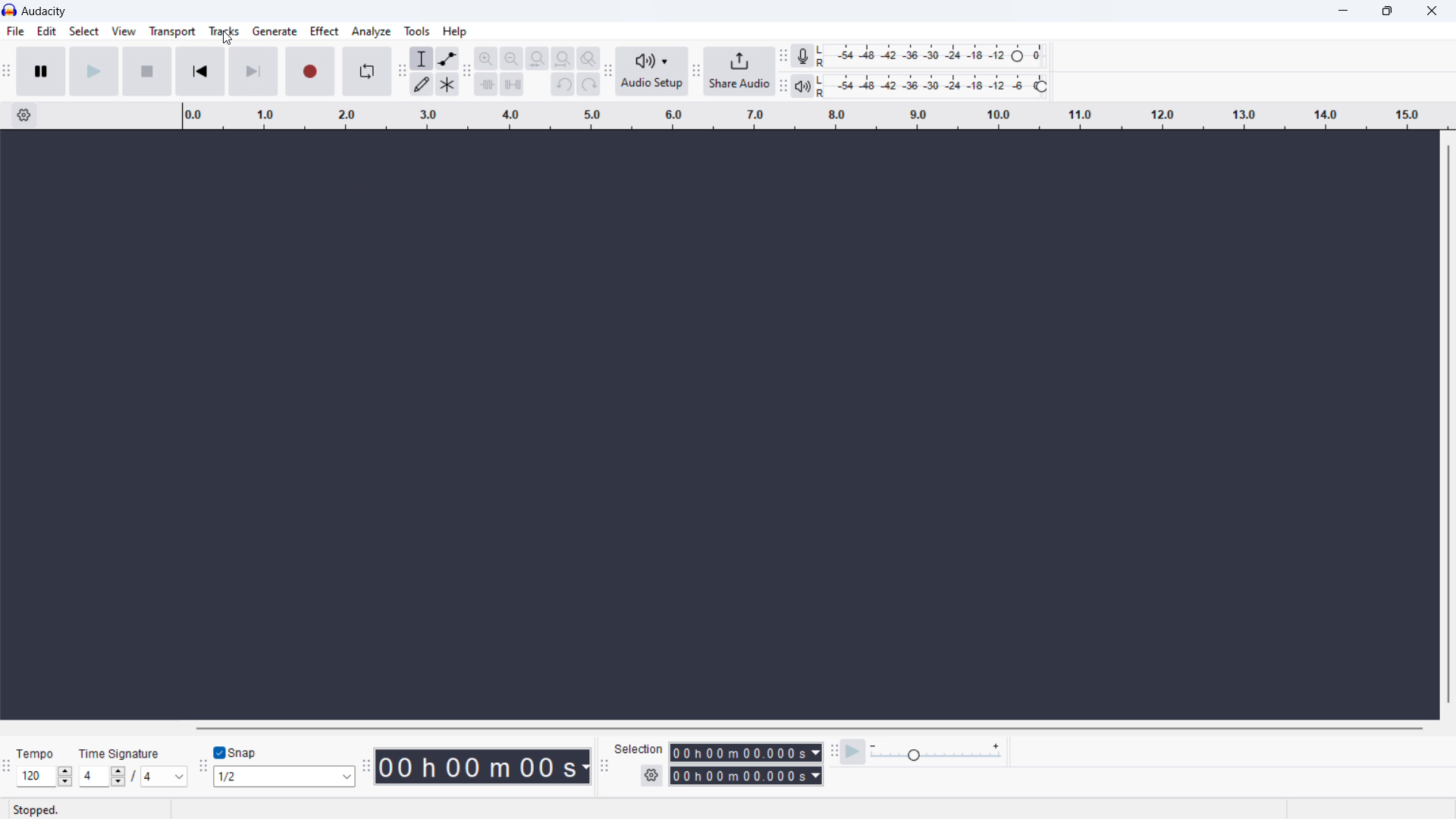  I want to click on undo, so click(563, 84).